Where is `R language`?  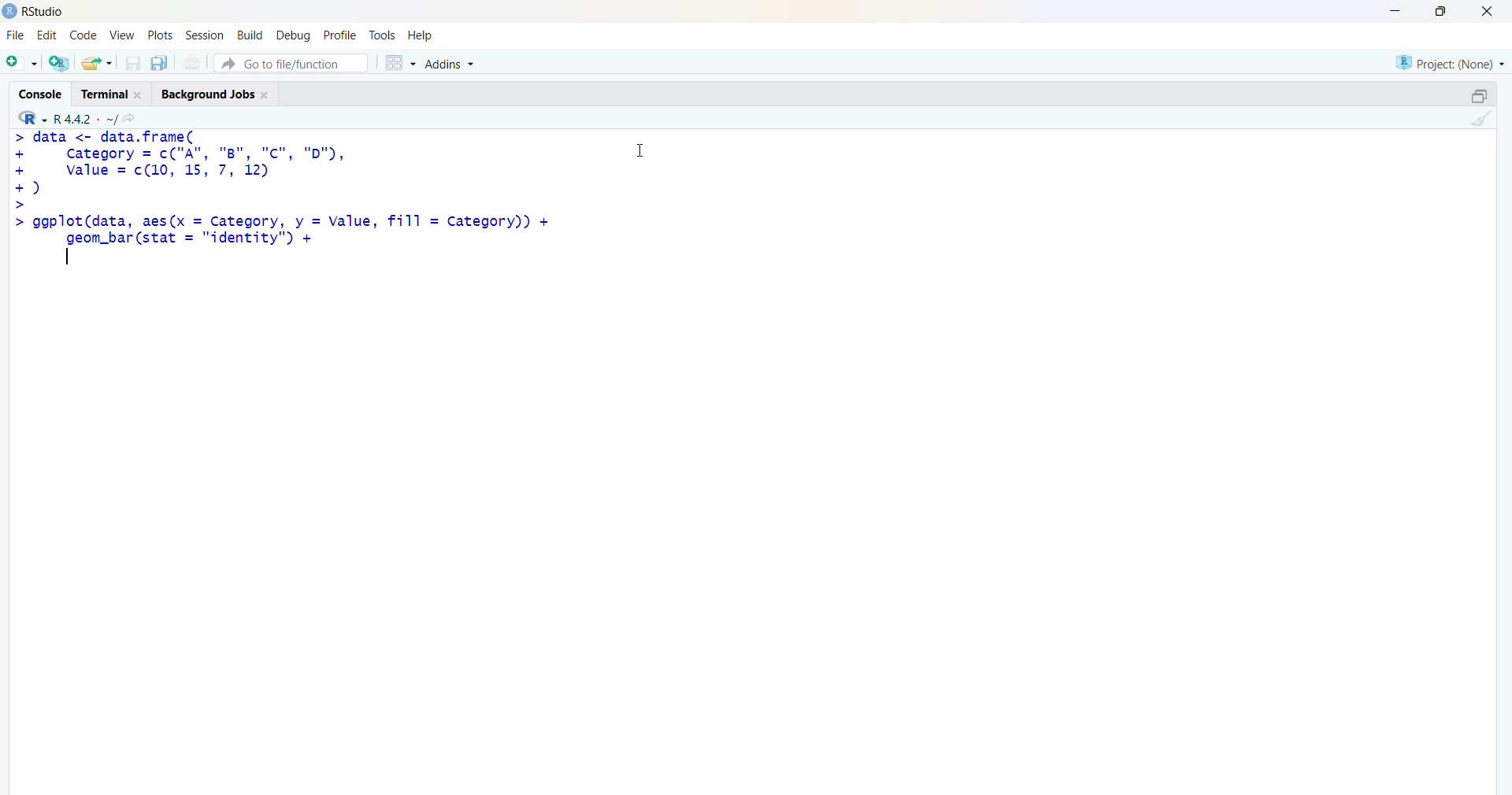 R language is located at coordinates (34, 118).